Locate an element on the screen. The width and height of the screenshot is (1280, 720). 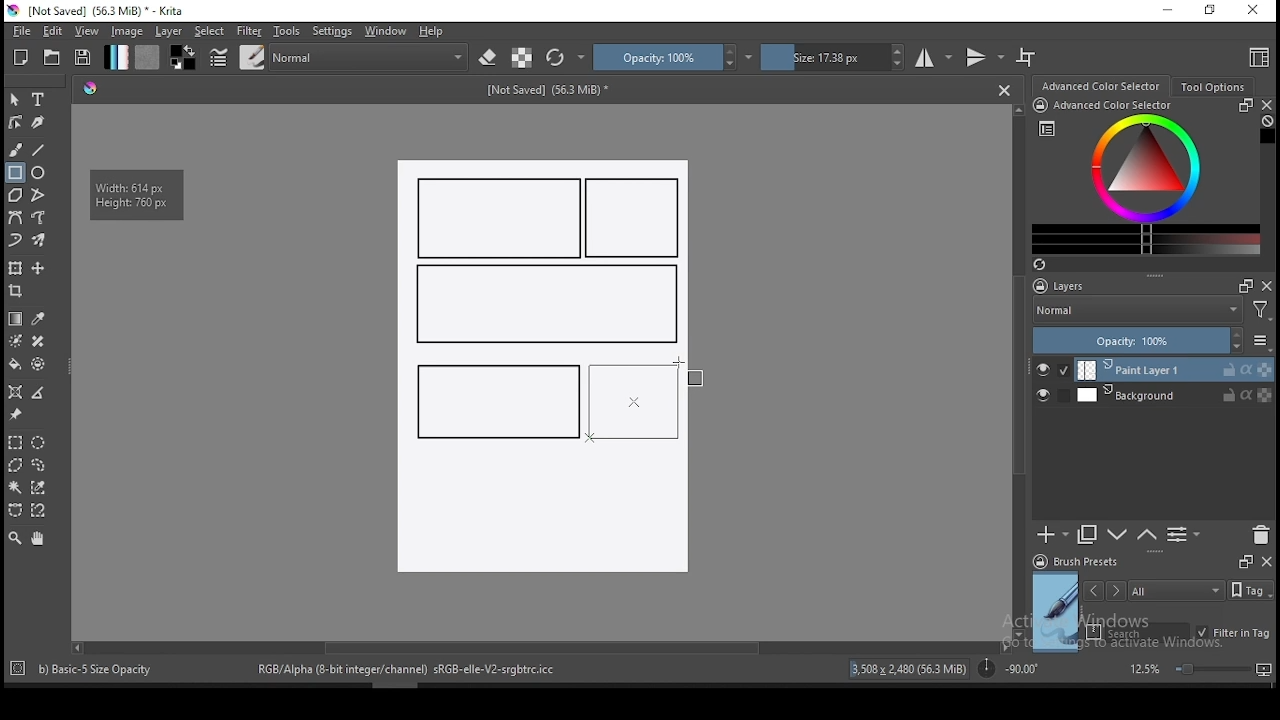
layers is located at coordinates (1065, 287).